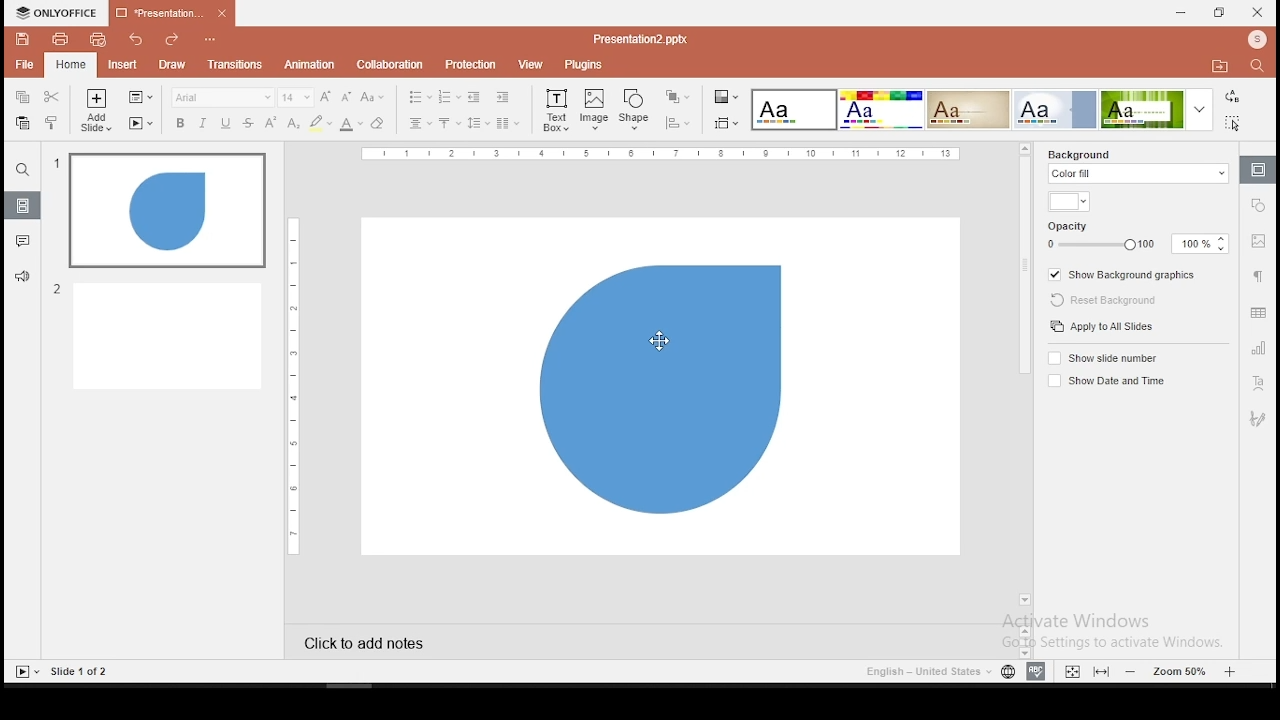  I want to click on font, so click(223, 98).